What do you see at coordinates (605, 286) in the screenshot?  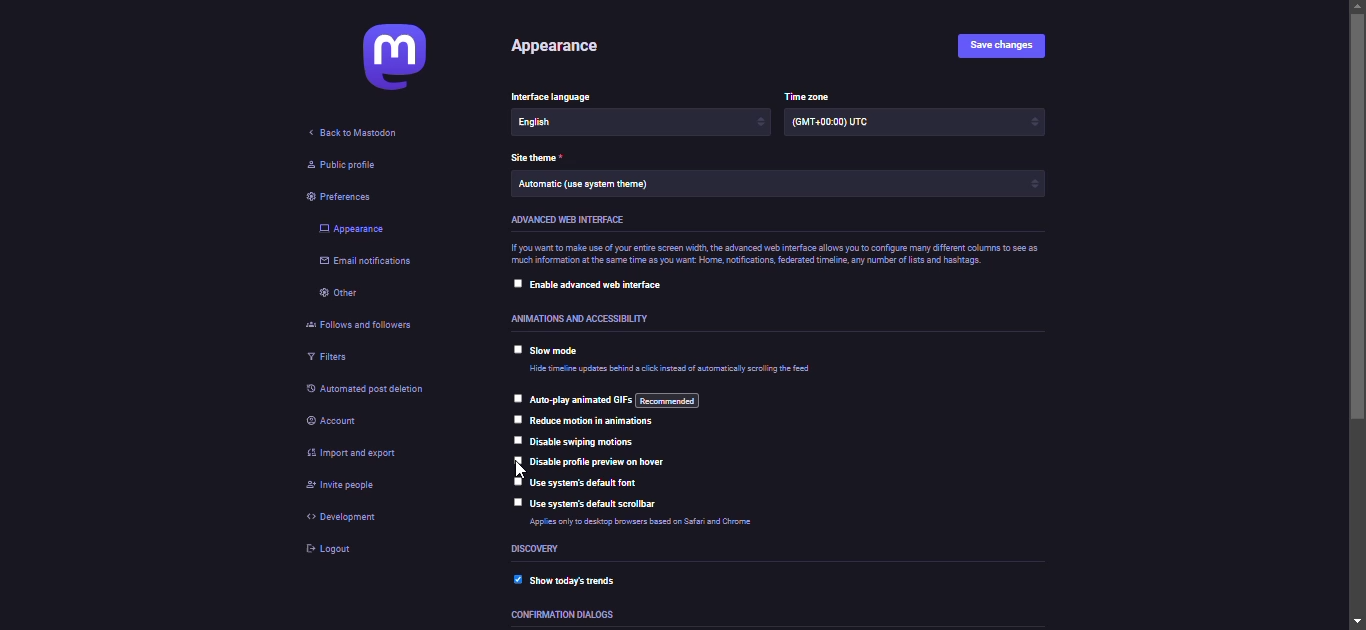 I see `enable advanced web interface` at bounding box center [605, 286].